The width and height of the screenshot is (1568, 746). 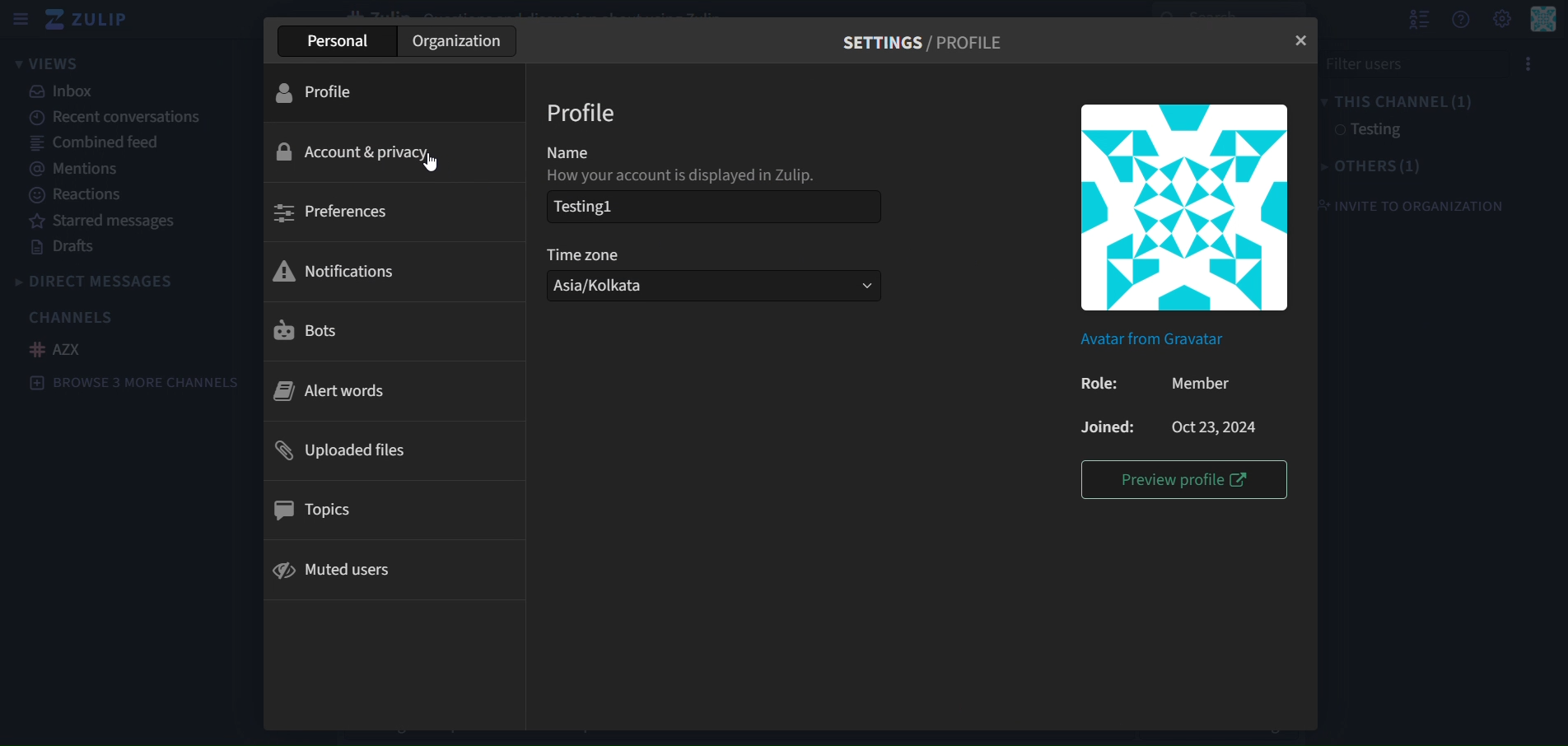 What do you see at coordinates (61, 247) in the screenshot?
I see `drafts` at bounding box center [61, 247].